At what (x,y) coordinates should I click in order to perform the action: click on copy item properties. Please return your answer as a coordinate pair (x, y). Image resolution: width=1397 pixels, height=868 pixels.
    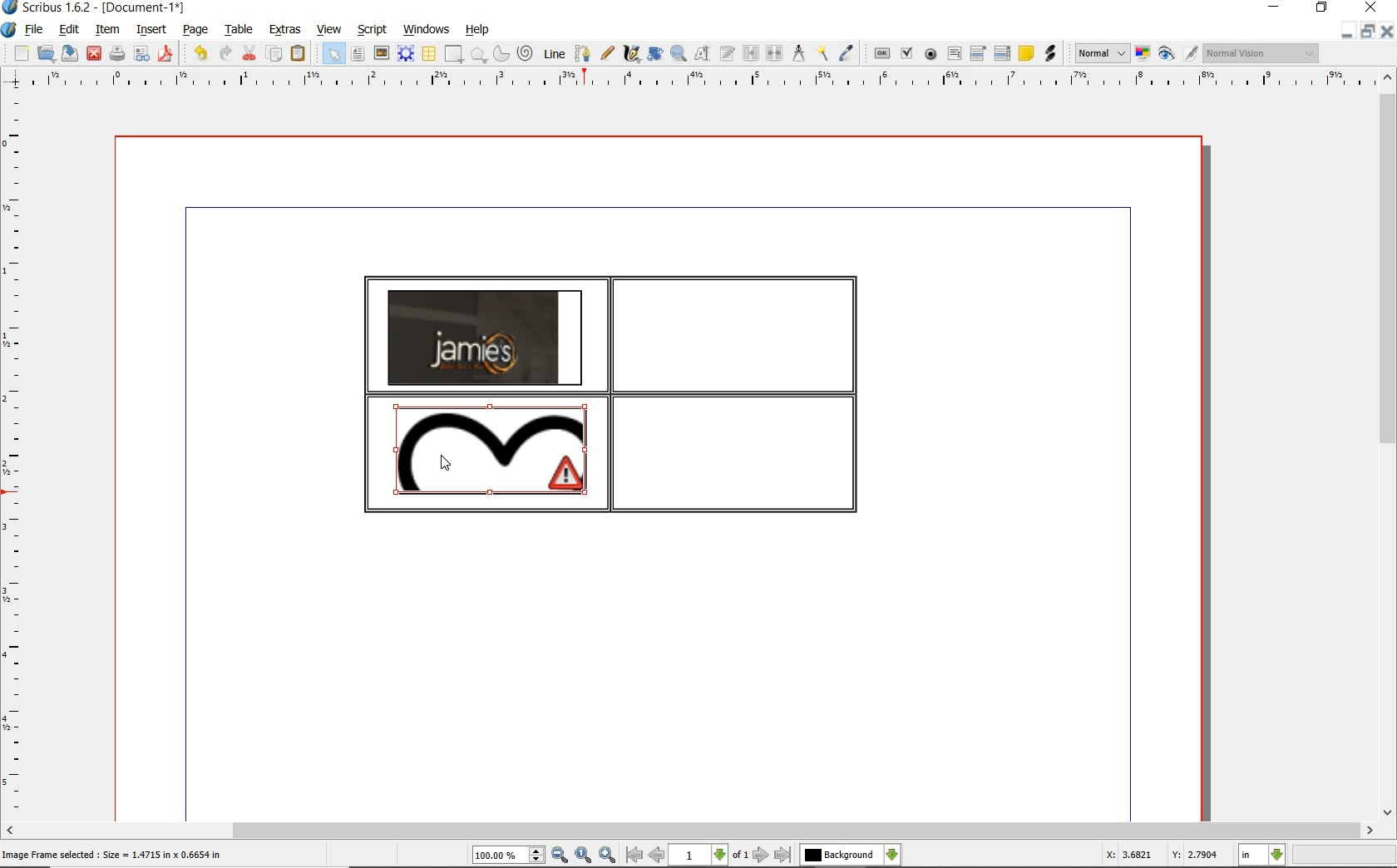
    Looking at the image, I should click on (822, 54).